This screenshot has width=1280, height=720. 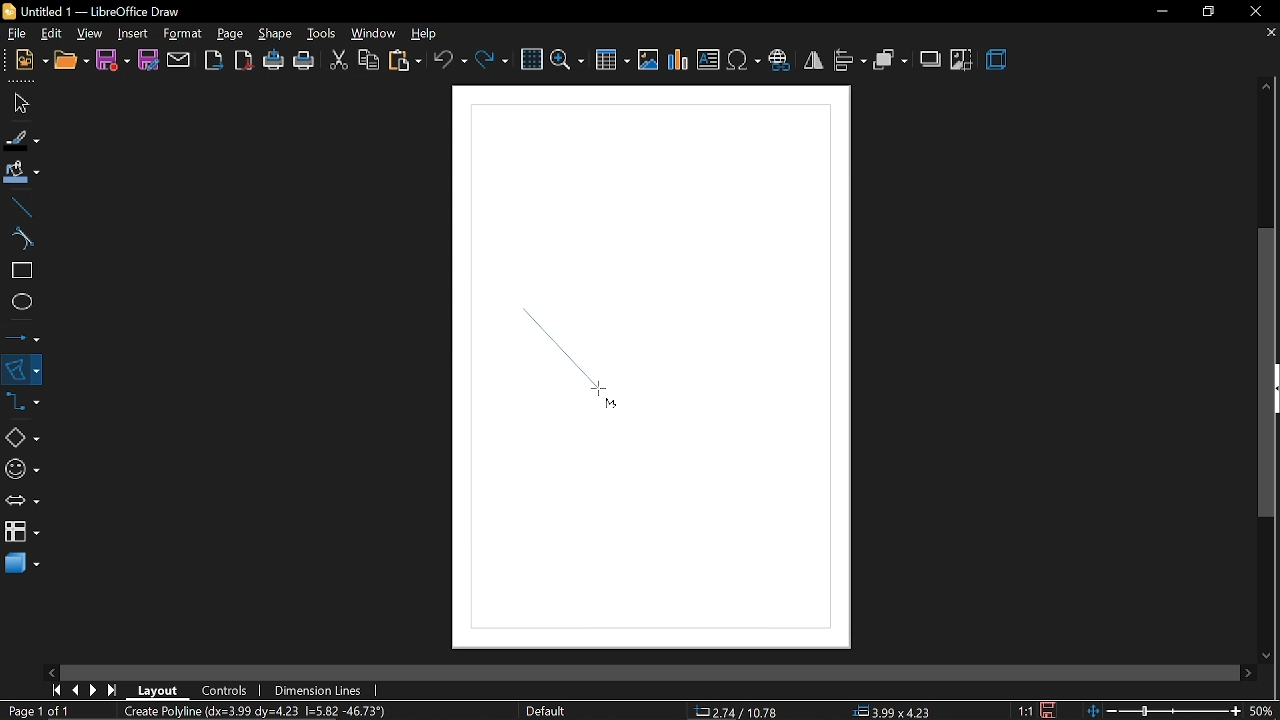 What do you see at coordinates (743, 60) in the screenshot?
I see `insert symbol` at bounding box center [743, 60].